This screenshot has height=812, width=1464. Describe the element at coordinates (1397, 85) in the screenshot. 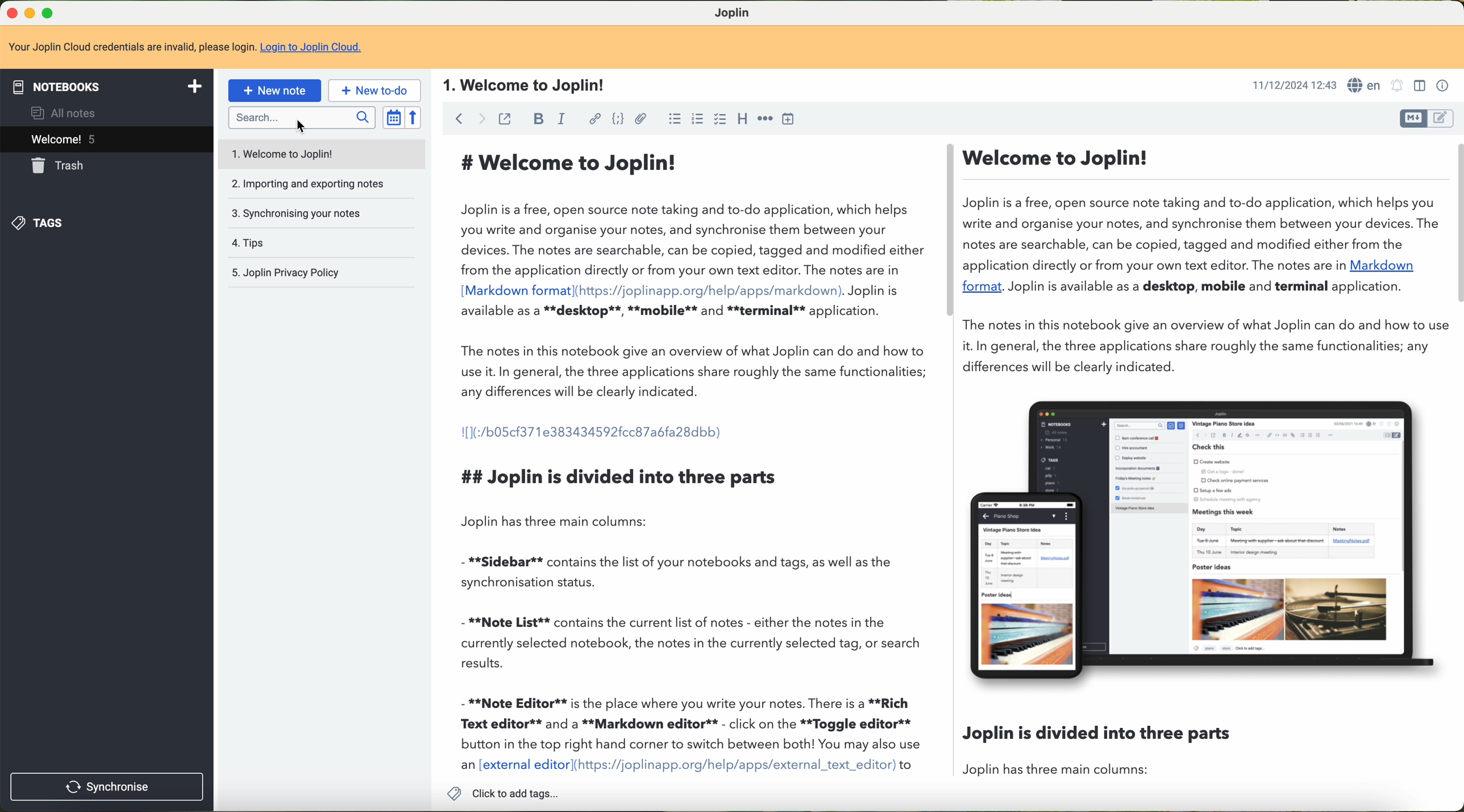

I see `set alarm` at that location.